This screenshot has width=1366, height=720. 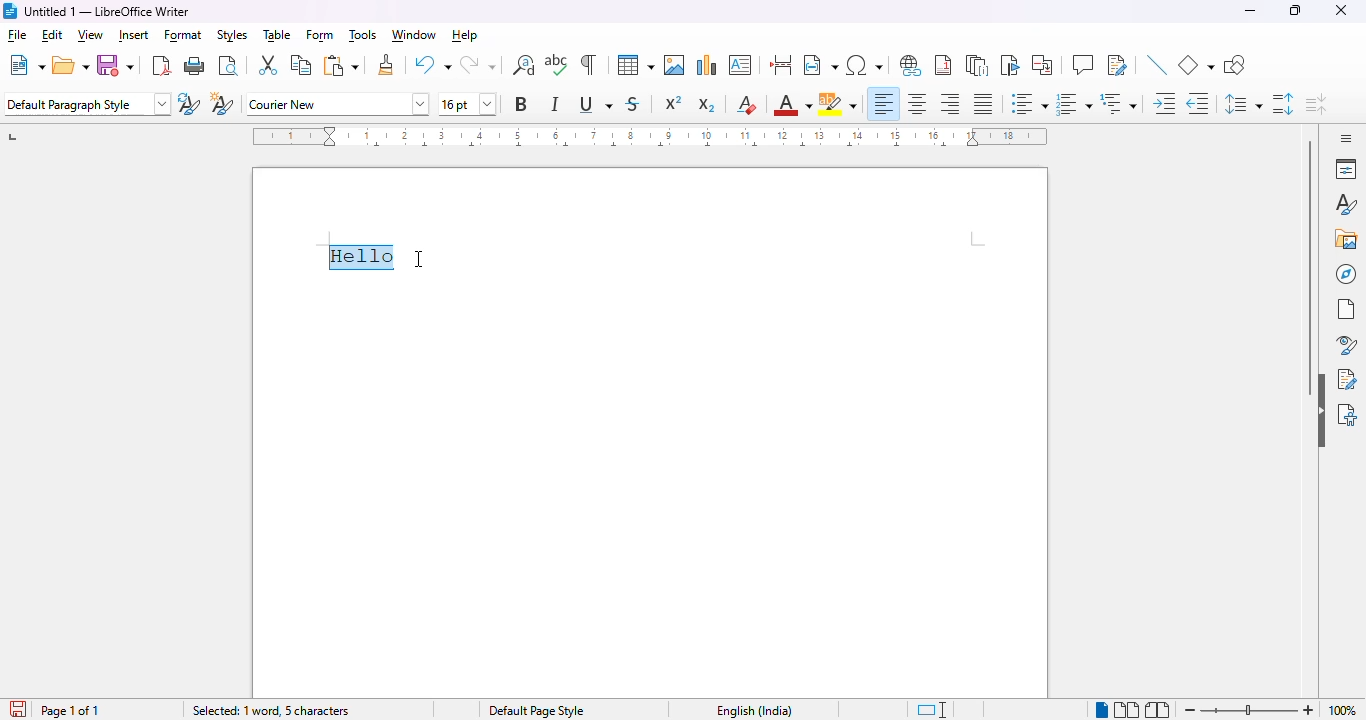 I want to click on bold, so click(x=521, y=104).